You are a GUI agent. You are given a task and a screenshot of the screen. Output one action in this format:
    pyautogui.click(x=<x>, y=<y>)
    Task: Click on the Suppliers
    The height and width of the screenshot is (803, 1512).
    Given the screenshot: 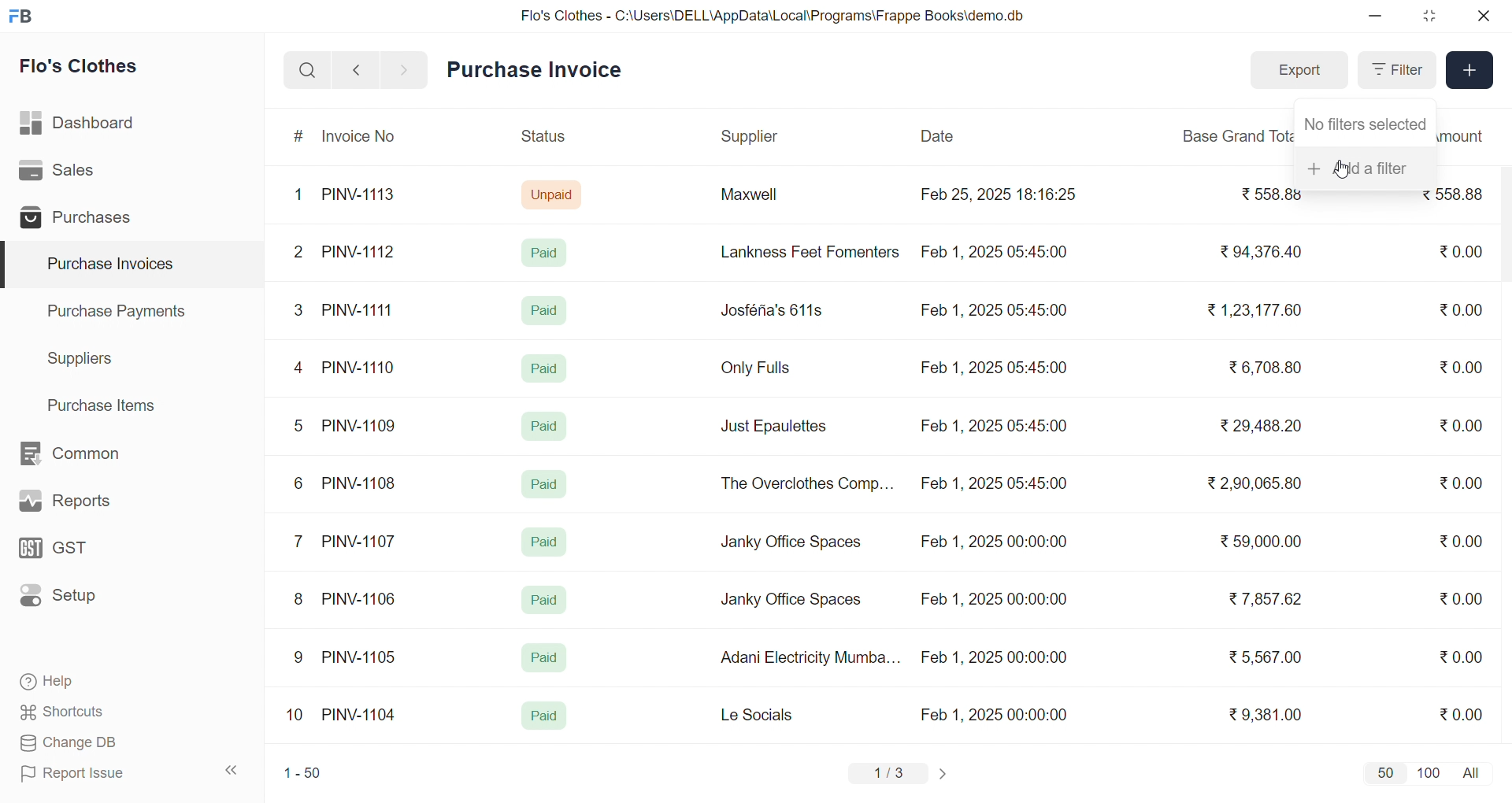 What is the action you would take?
    pyautogui.click(x=83, y=358)
    